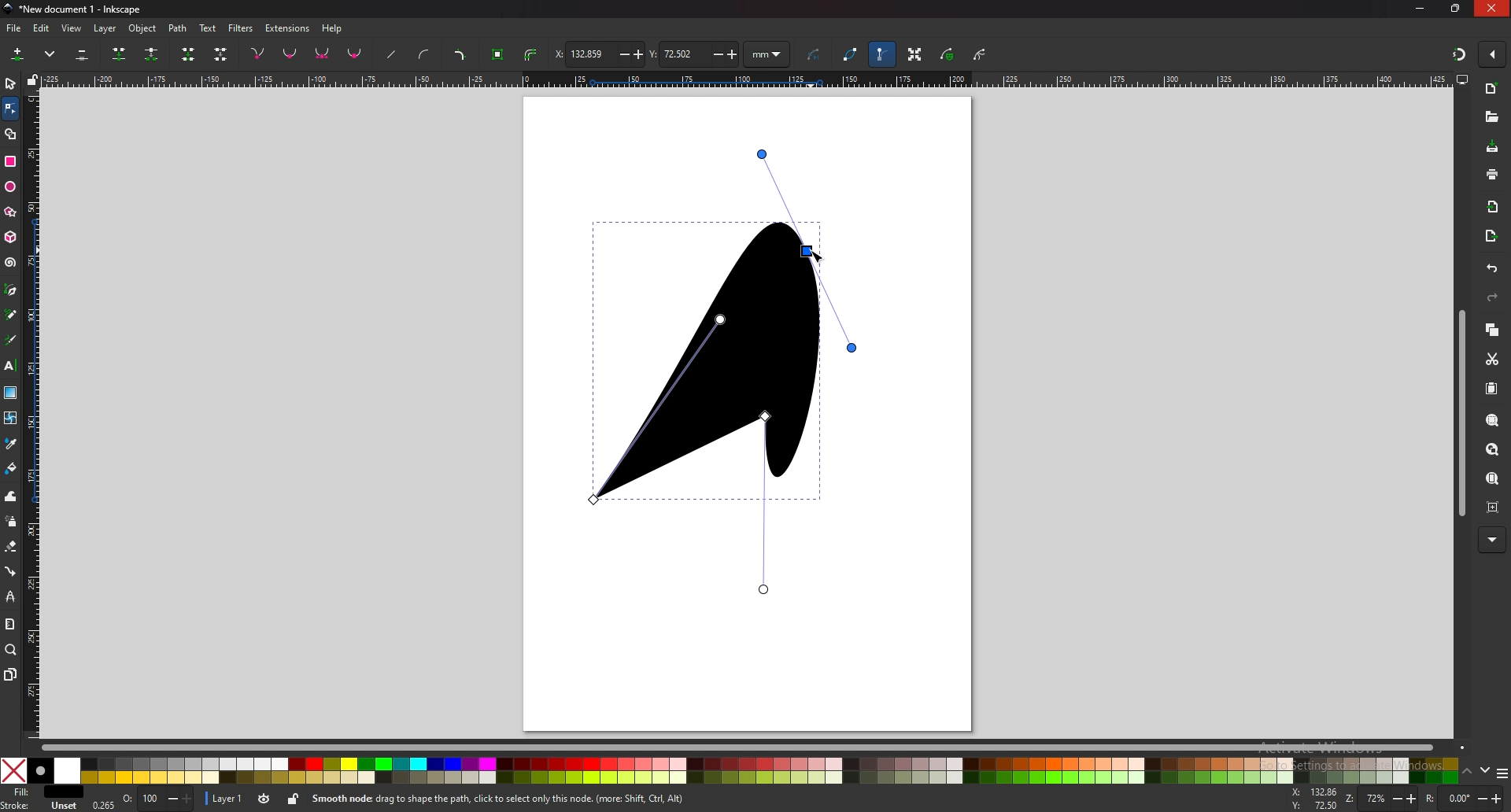 This screenshot has height=812, width=1511. Describe the element at coordinates (947, 54) in the screenshot. I see `show mask` at that location.